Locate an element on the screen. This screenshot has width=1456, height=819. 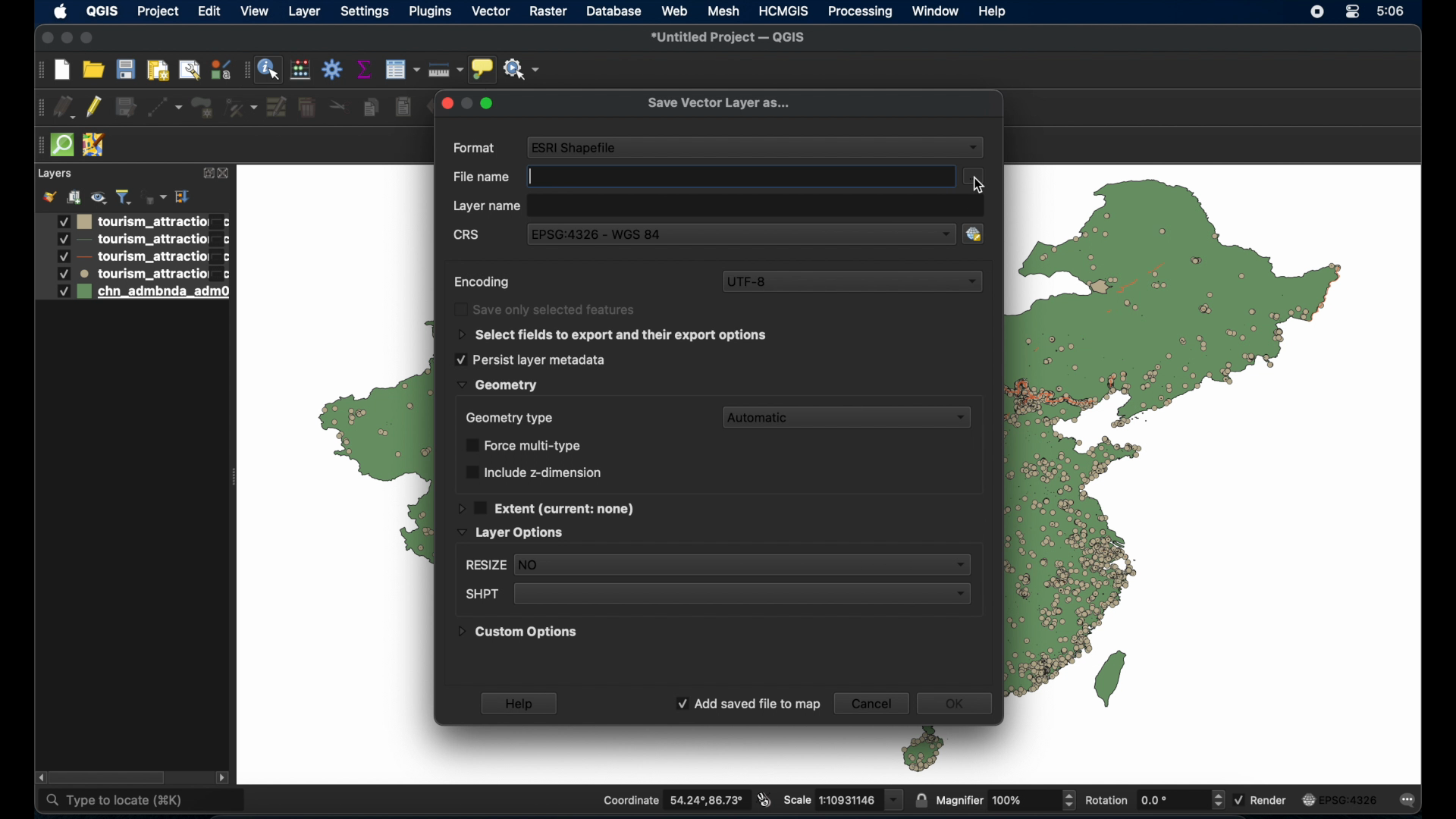
scale is located at coordinates (843, 799).